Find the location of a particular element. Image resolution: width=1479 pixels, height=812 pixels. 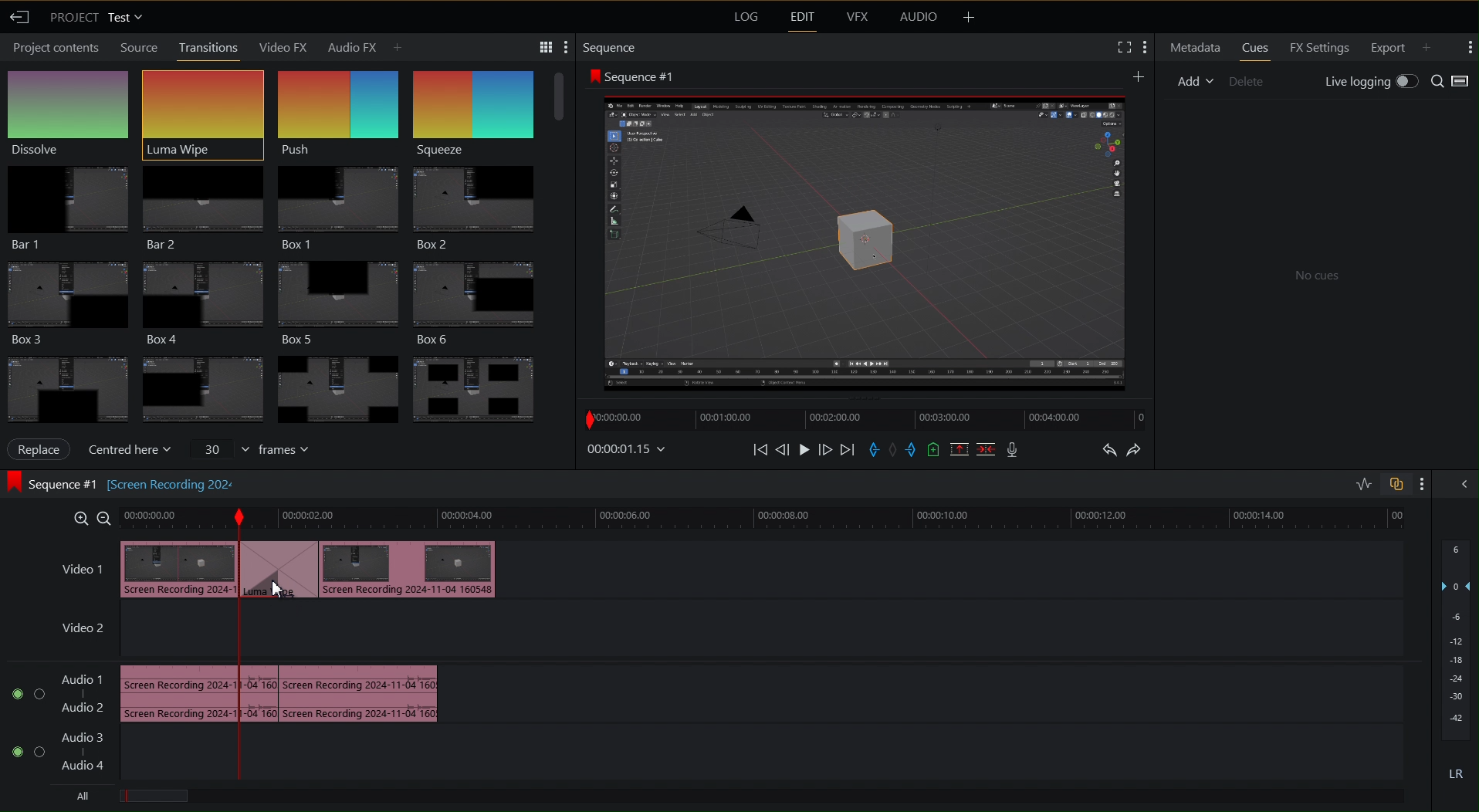

More is located at coordinates (1421, 485).